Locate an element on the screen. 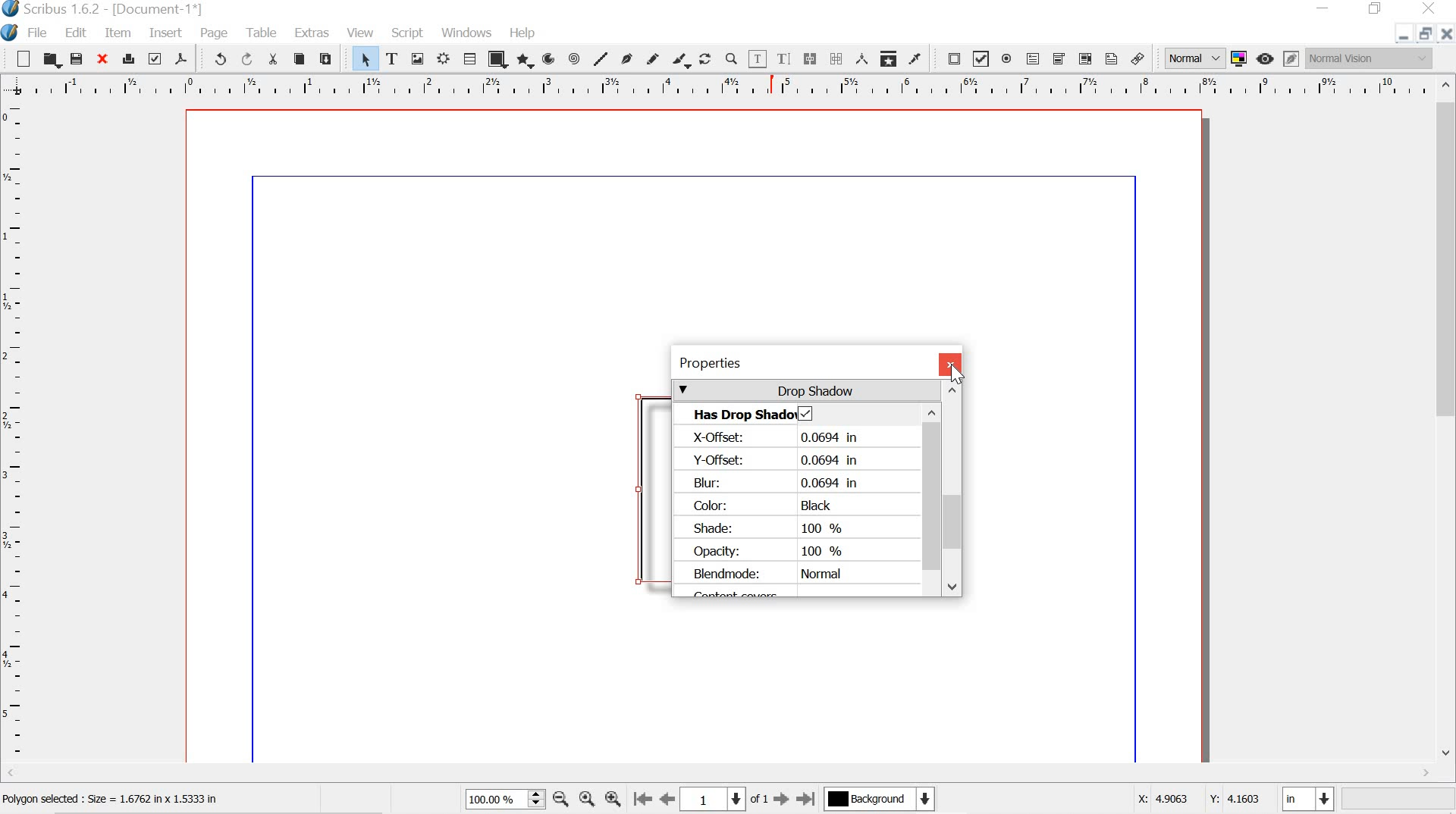  ruler is located at coordinates (720, 86).